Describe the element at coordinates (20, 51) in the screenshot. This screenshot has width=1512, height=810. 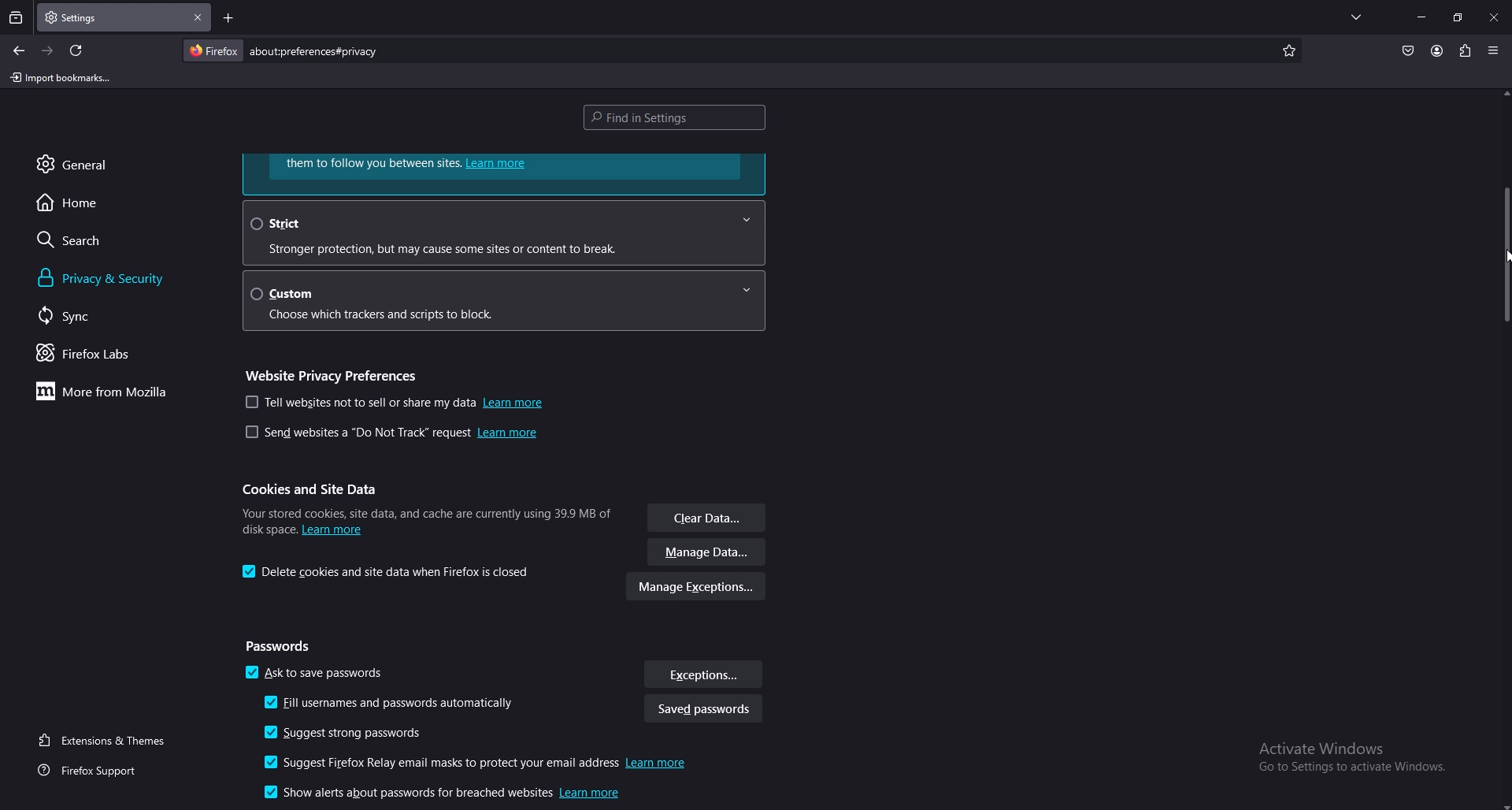
I see `backward` at that location.